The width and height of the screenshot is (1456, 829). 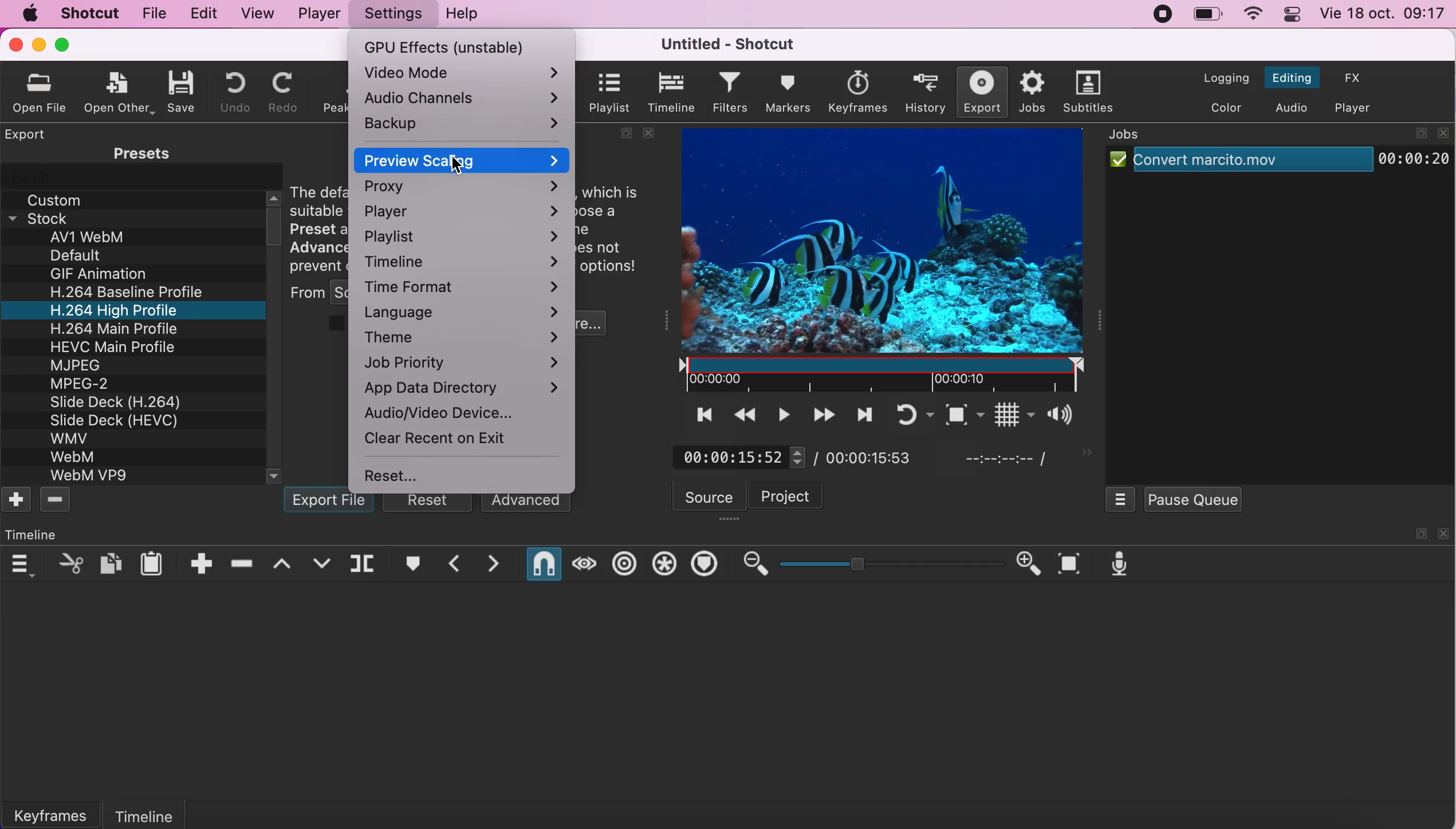 I want to click on battery, so click(x=1207, y=15).